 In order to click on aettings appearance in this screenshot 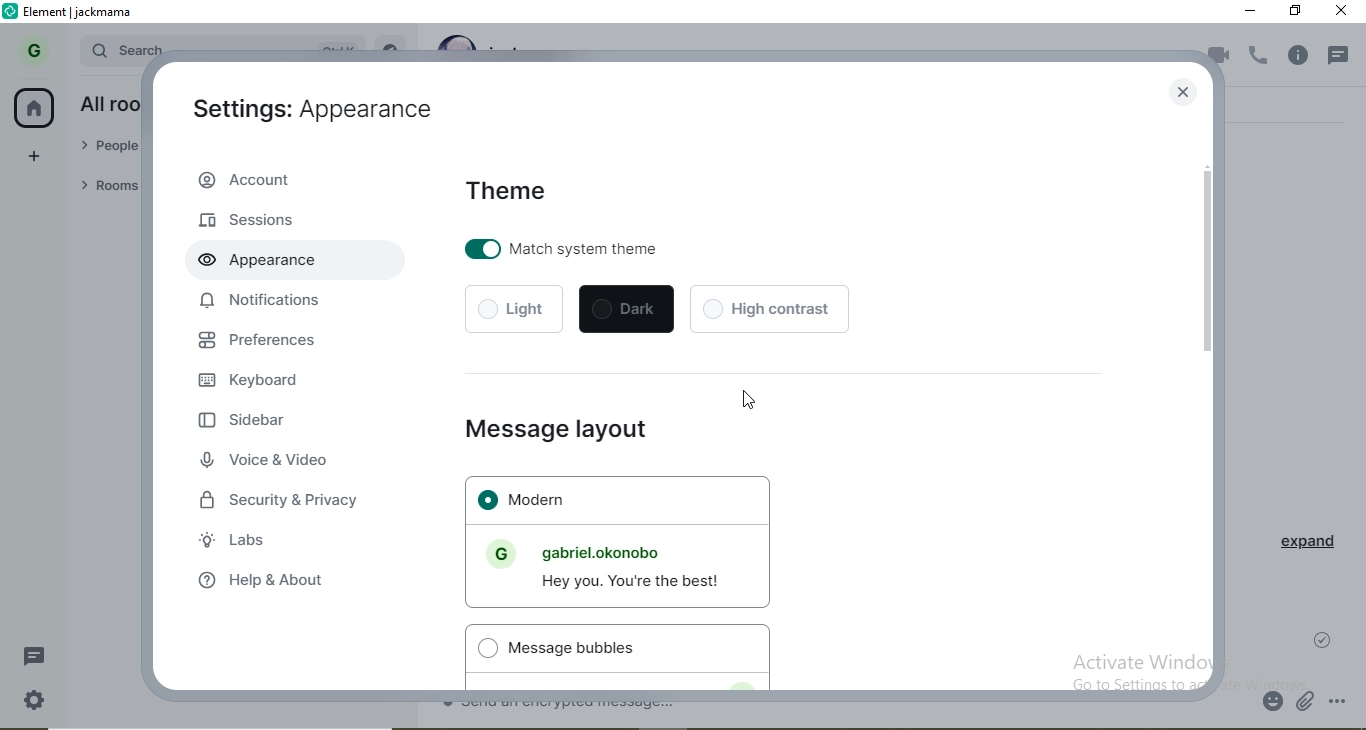, I will do `click(306, 115)`.